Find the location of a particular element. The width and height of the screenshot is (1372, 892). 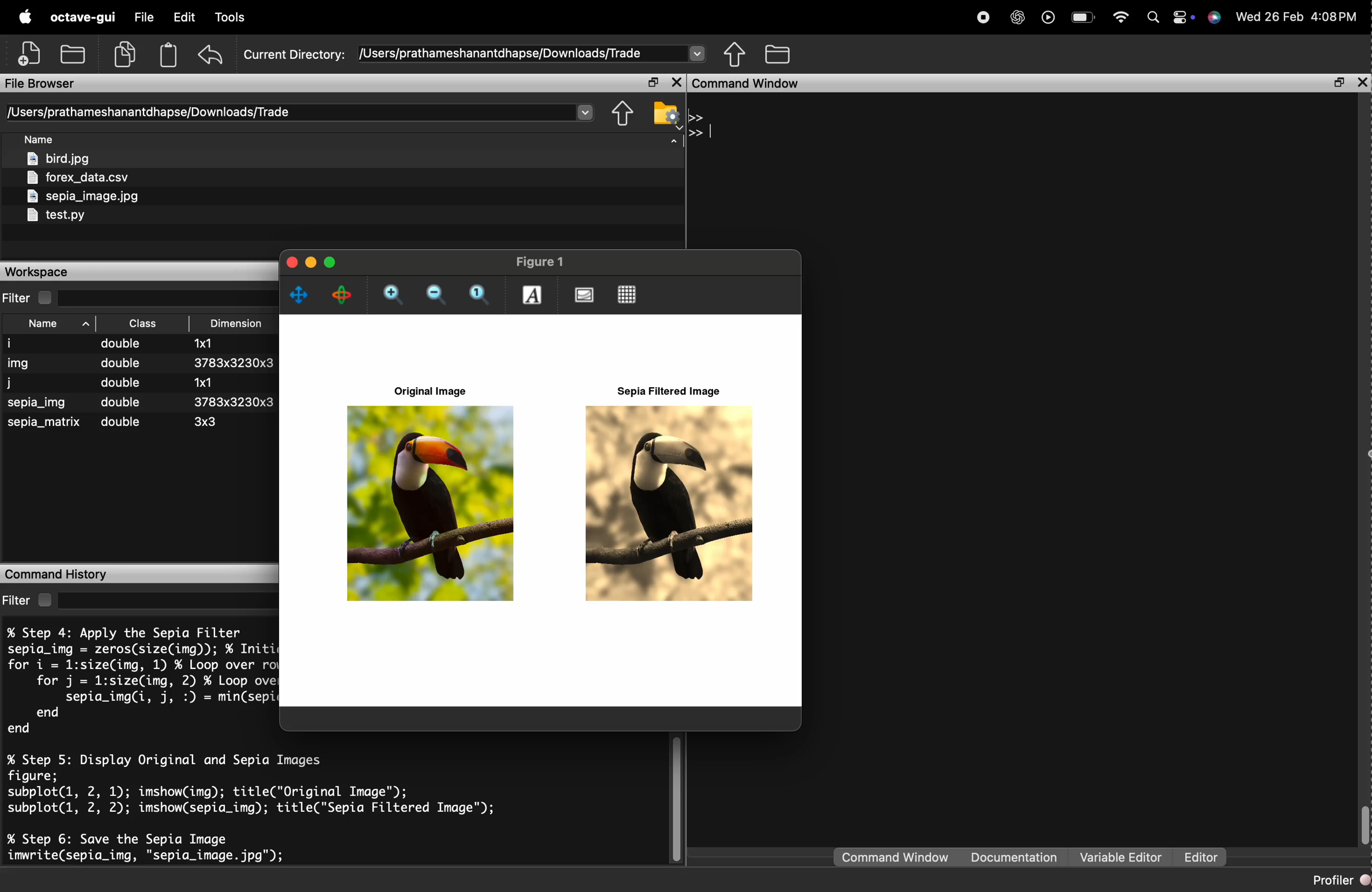

insert text is located at coordinates (533, 295).